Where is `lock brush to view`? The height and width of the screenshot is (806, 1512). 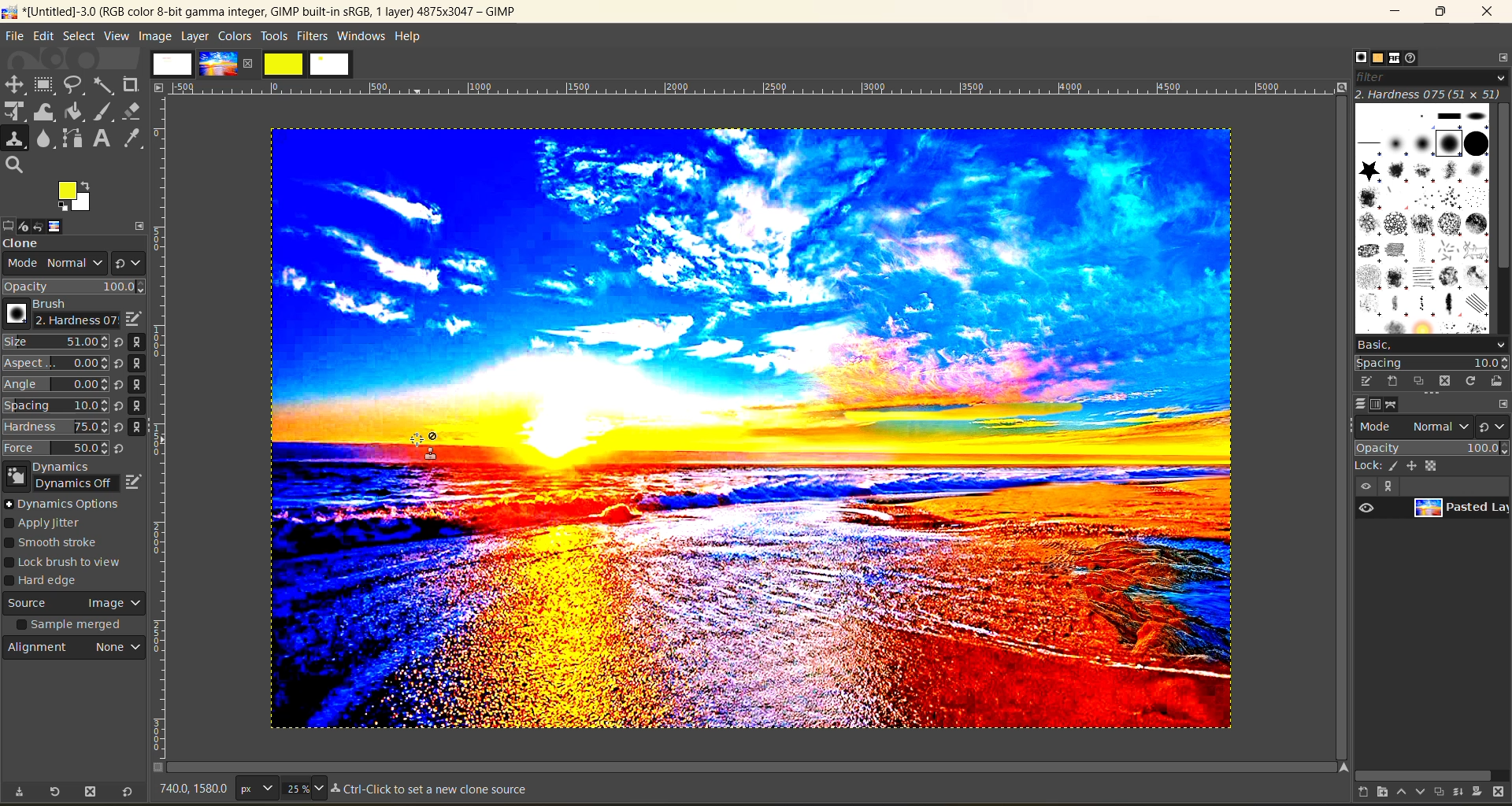 lock brush to view is located at coordinates (70, 563).